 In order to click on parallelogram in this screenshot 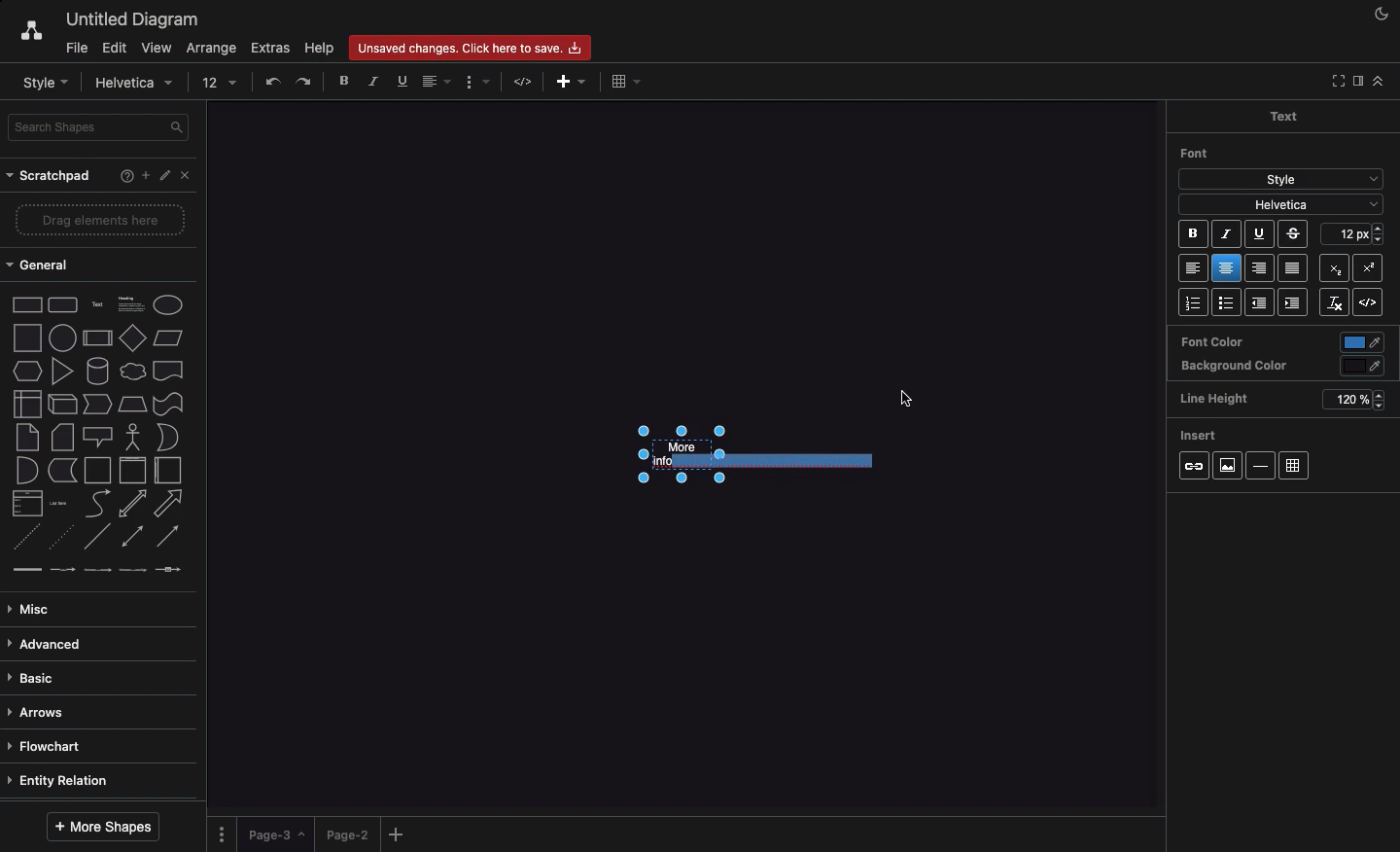, I will do `click(168, 337)`.